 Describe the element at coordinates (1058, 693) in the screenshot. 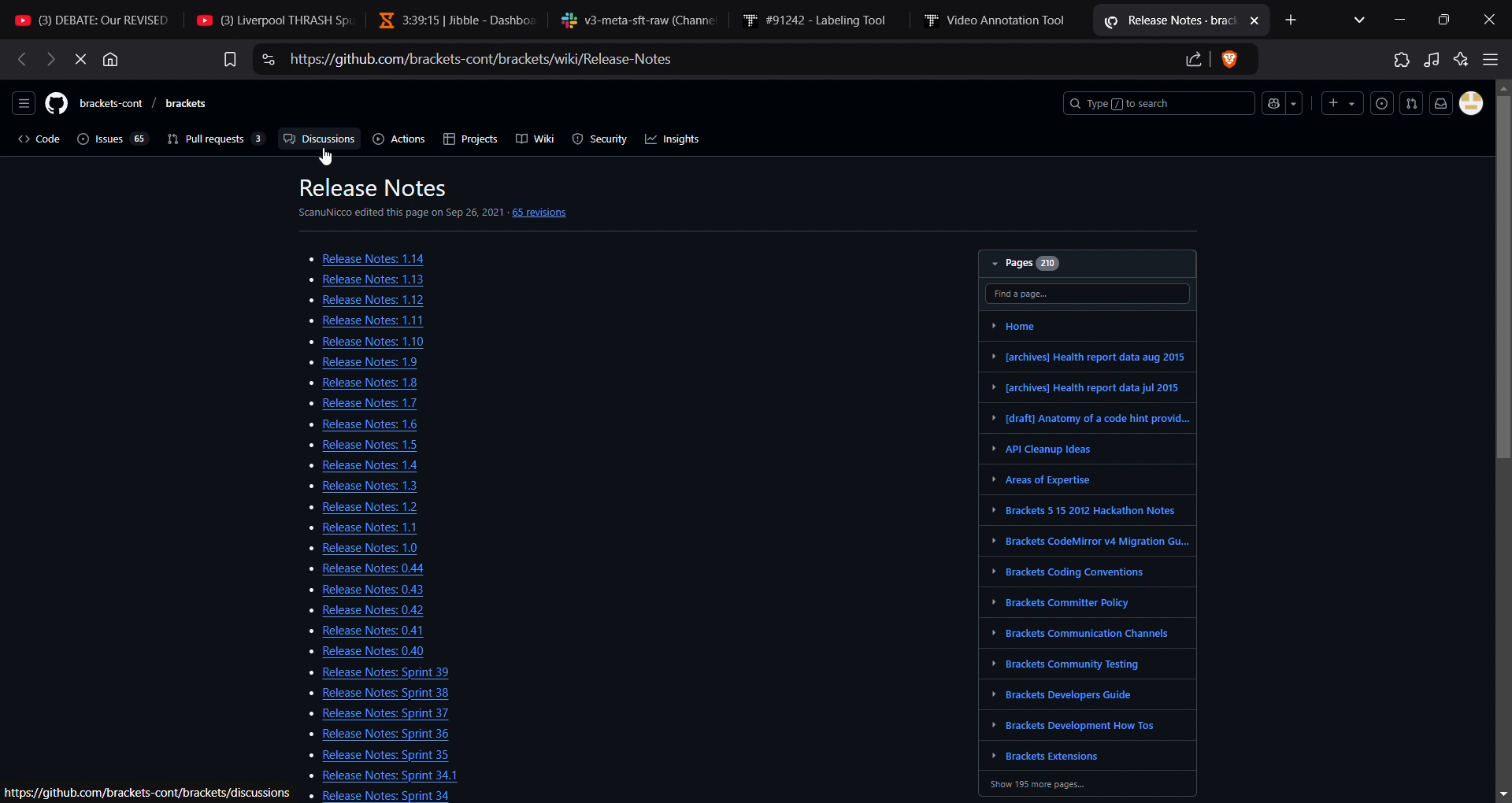

I see `» Brackets Developers Guide` at that location.